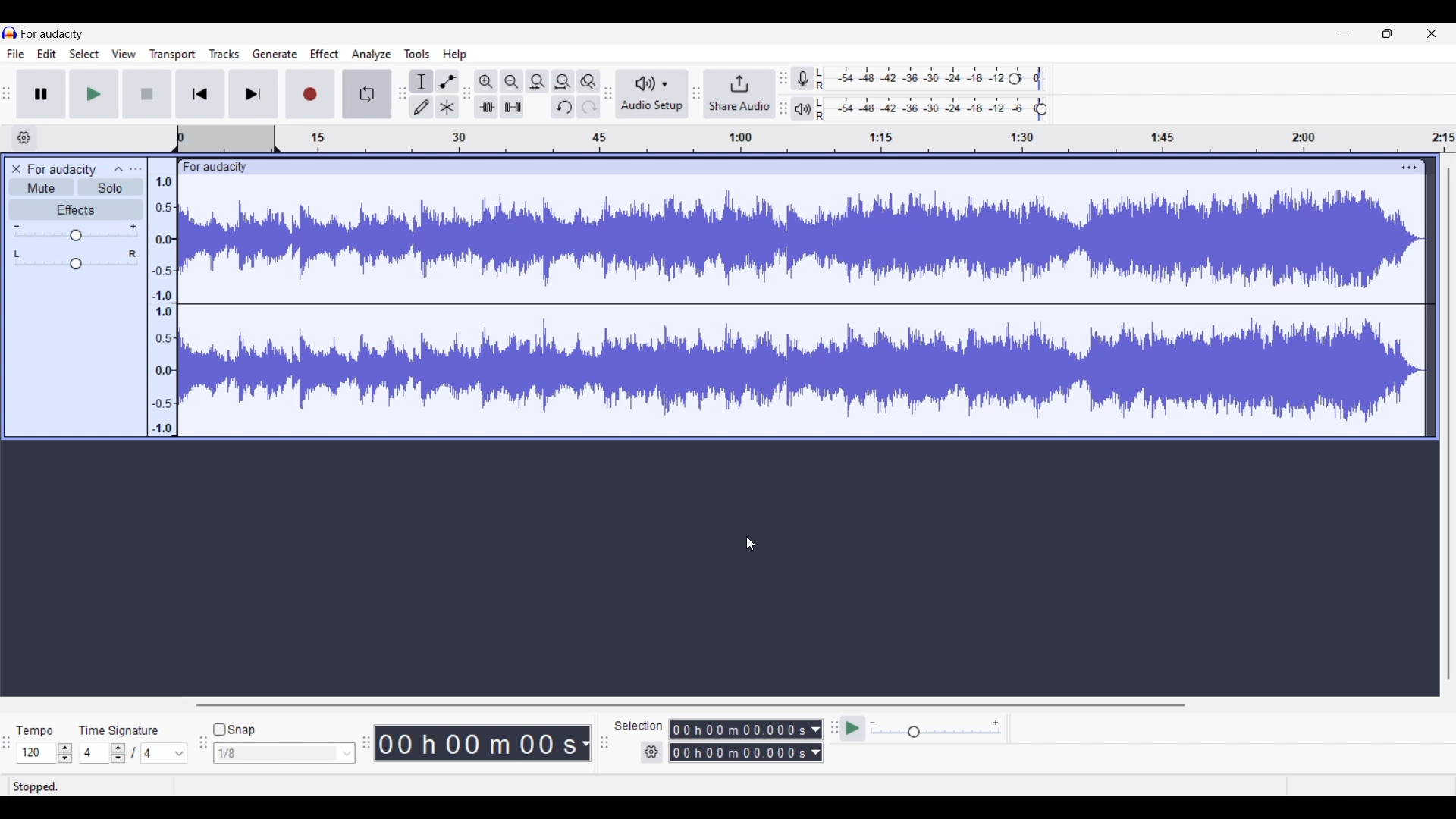 The height and width of the screenshot is (819, 1456). What do you see at coordinates (274, 755) in the screenshot?
I see `1/8 (Type in snap)` at bounding box center [274, 755].